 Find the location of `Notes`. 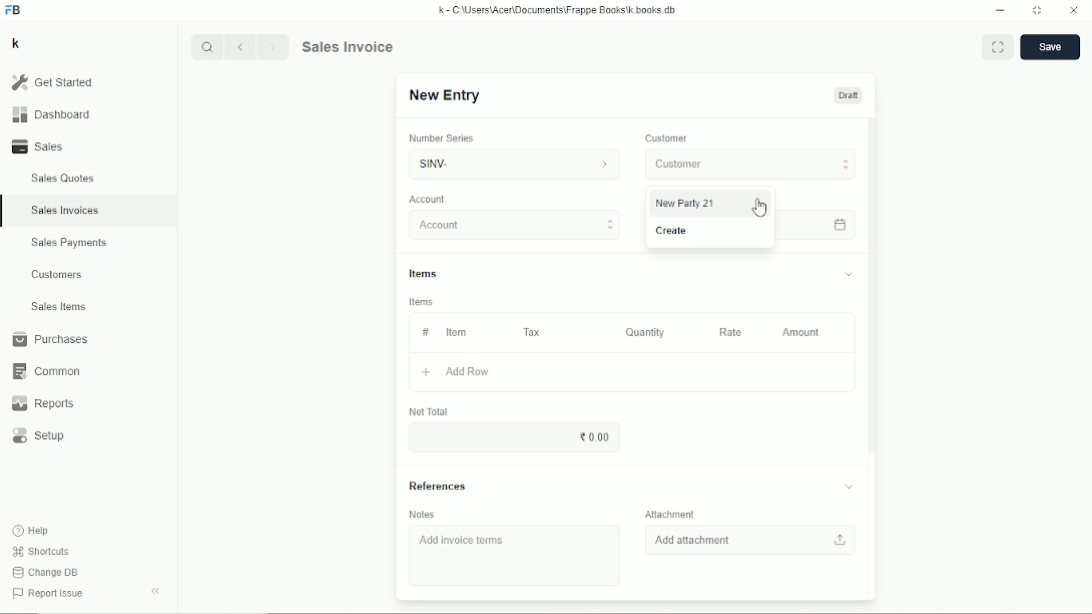

Notes is located at coordinates (423, 514).